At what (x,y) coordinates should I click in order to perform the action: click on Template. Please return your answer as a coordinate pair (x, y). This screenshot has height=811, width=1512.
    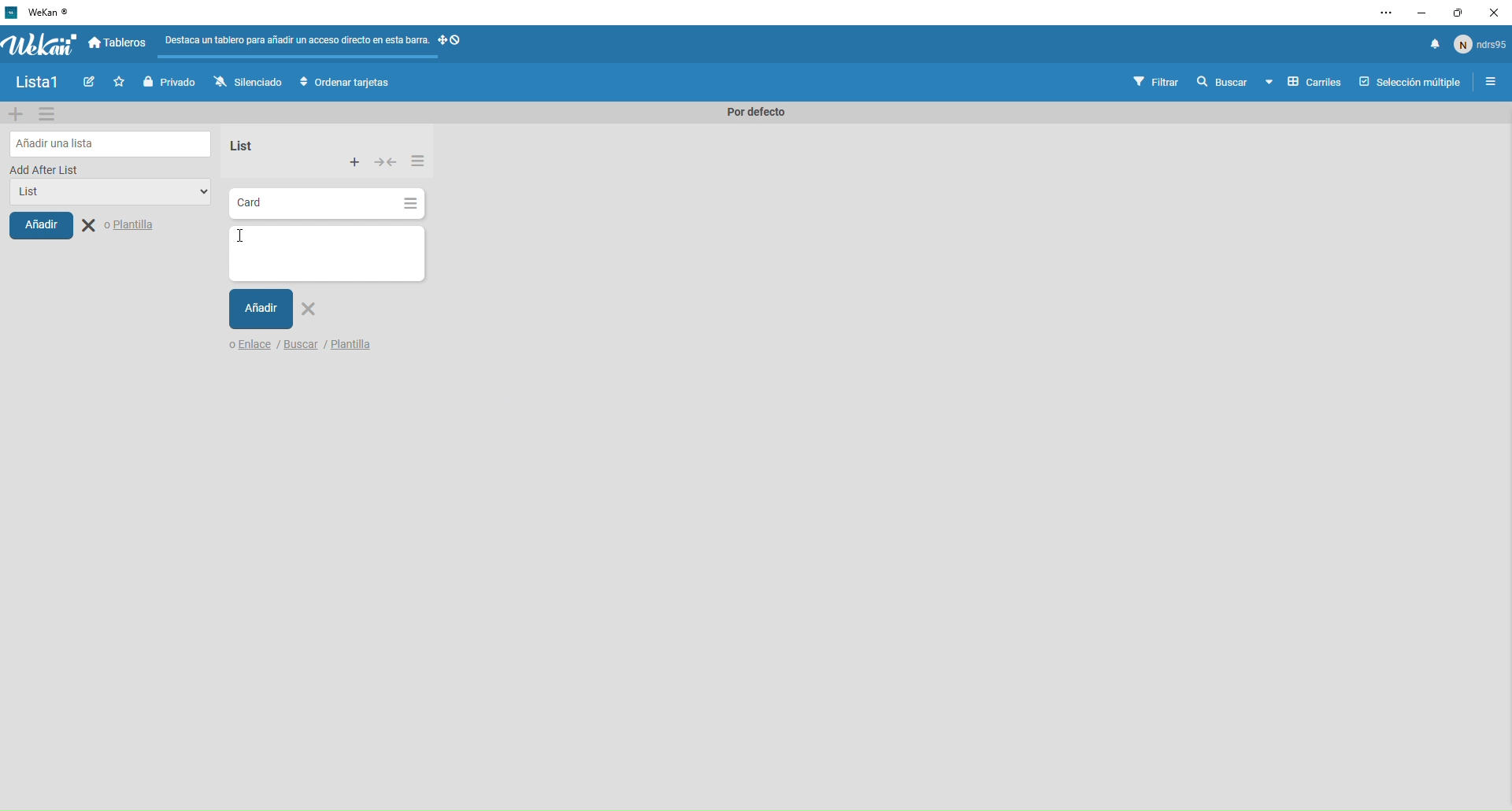
    Looking at the image, I should click on (351, 346).